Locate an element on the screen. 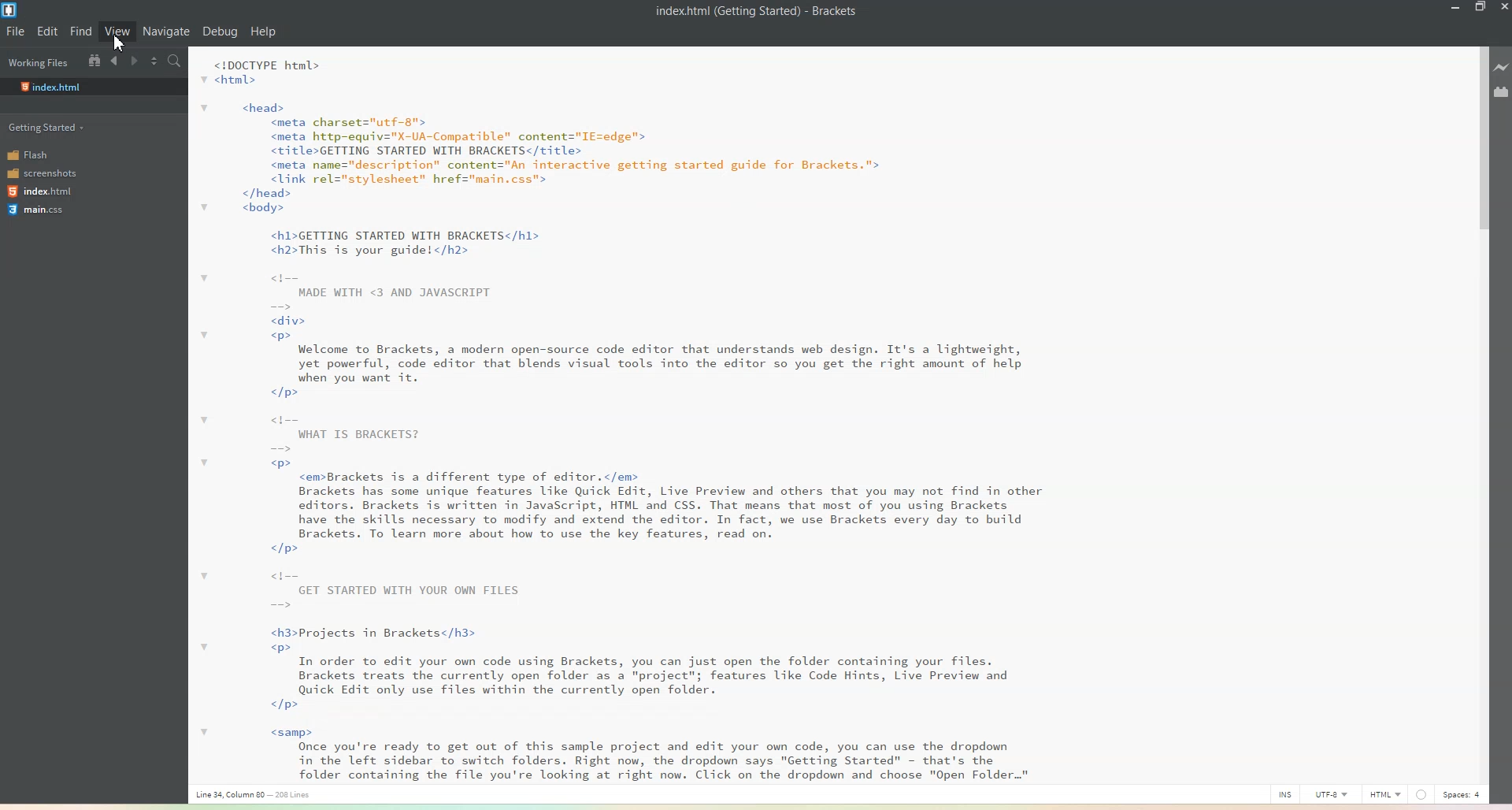  Navigate is located at coordinates (166, 32).